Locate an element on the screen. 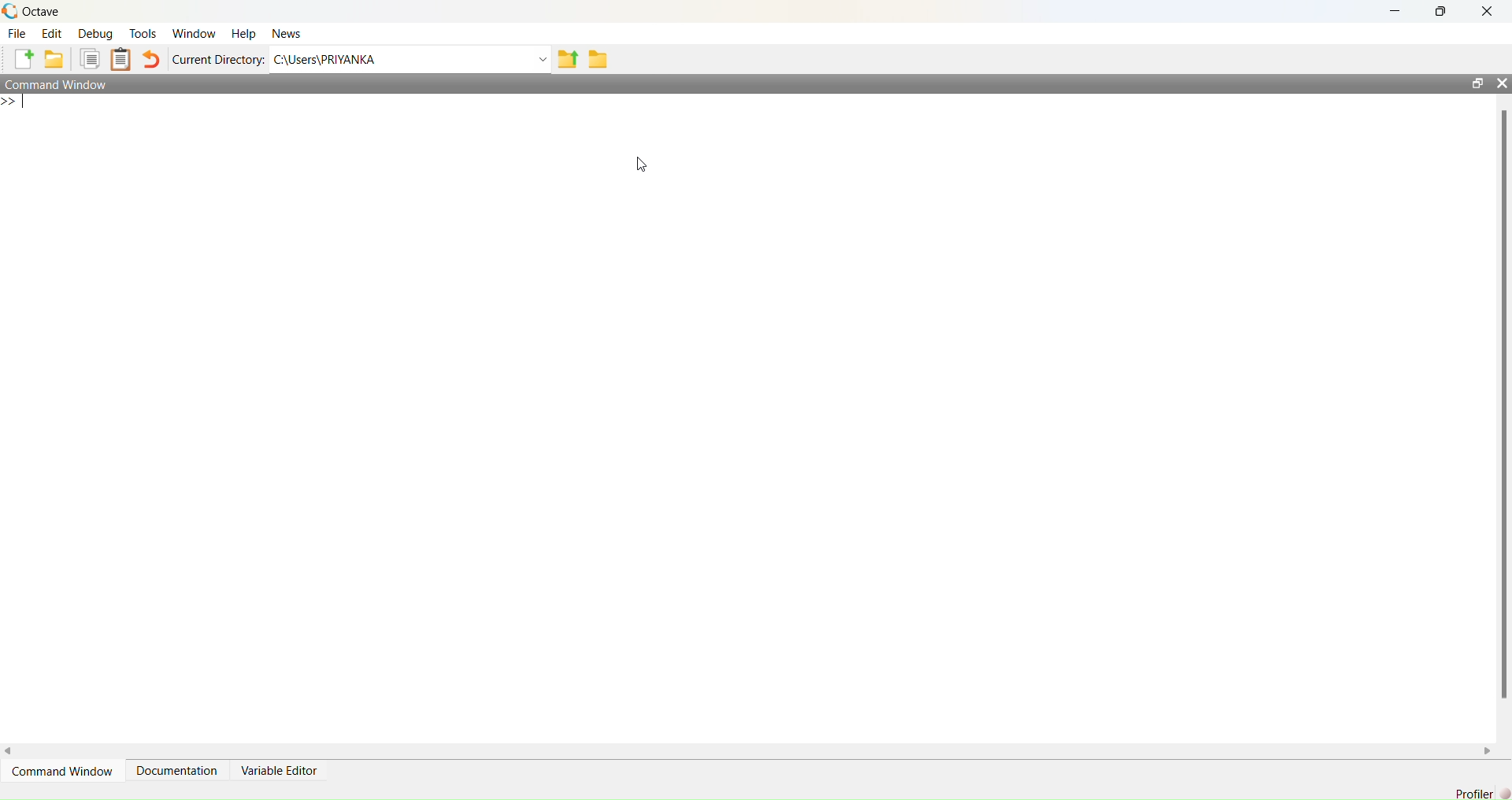  Variable Editor is located at coordinates (279, 770).